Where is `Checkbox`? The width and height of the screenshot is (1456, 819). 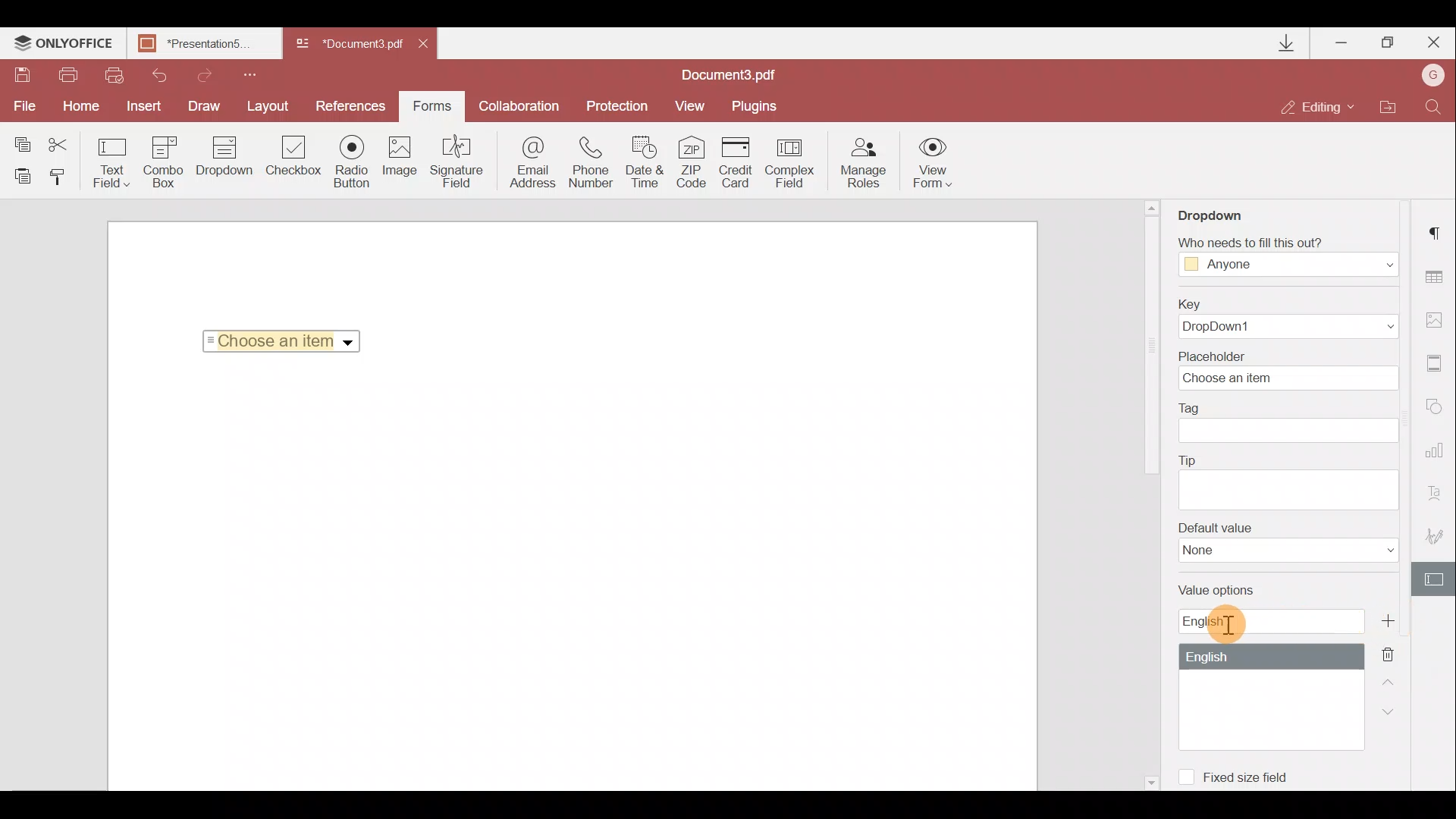
Checkbox is located at coordinates (291, 158).